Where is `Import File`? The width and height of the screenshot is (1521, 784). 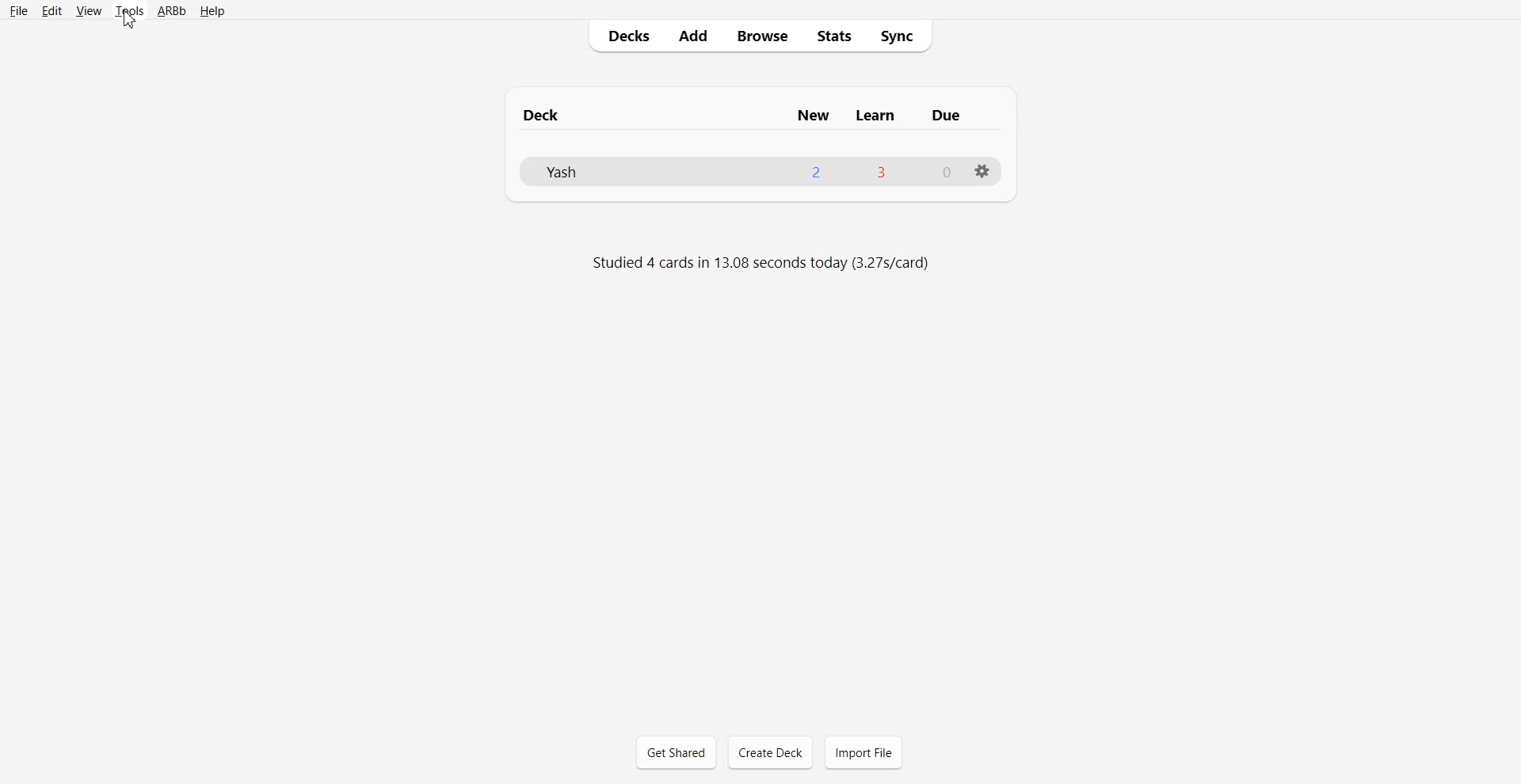
Import File is located at coordinates (863, 752).